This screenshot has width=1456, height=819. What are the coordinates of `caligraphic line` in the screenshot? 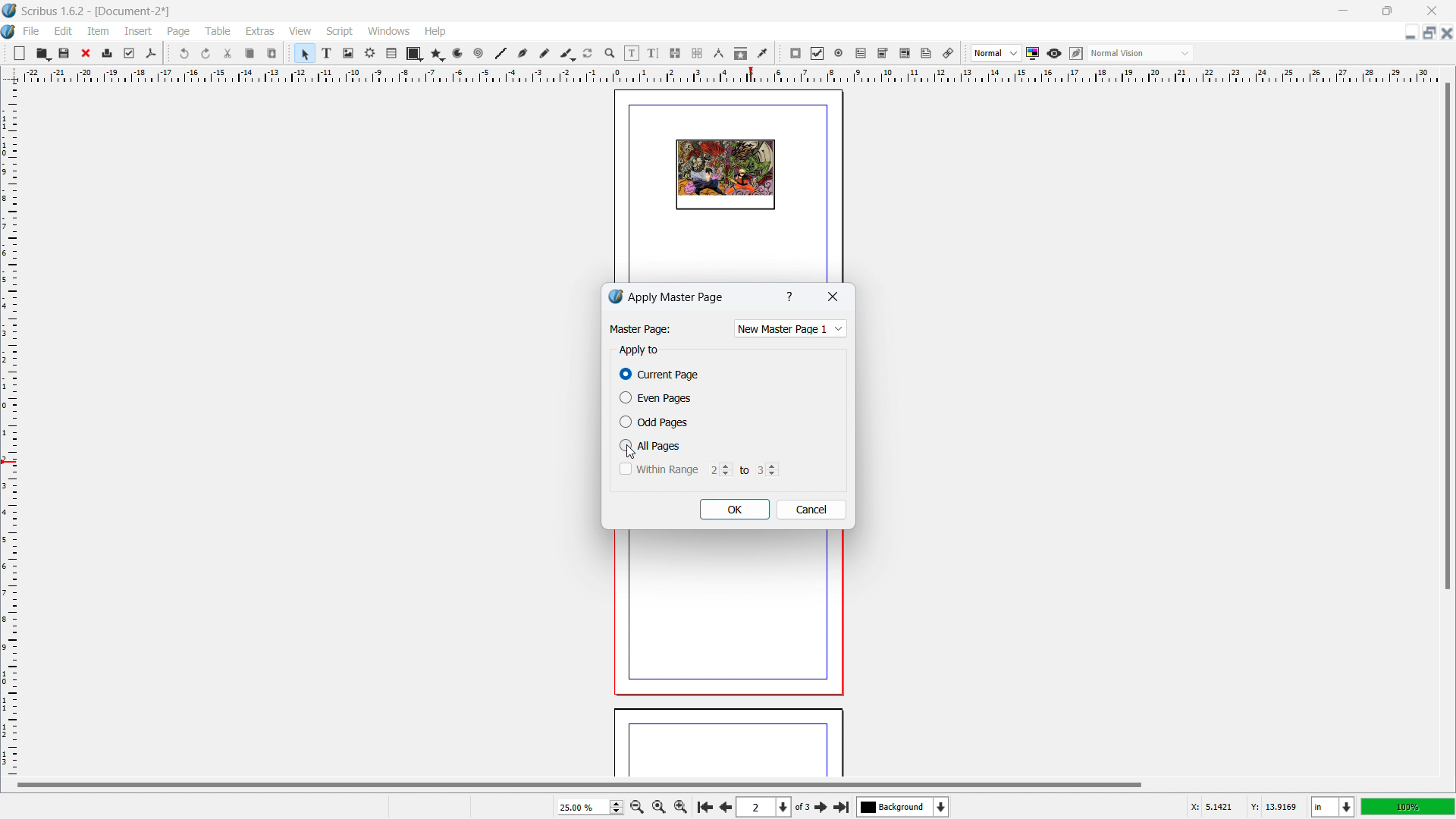 It's located at (567, 54).